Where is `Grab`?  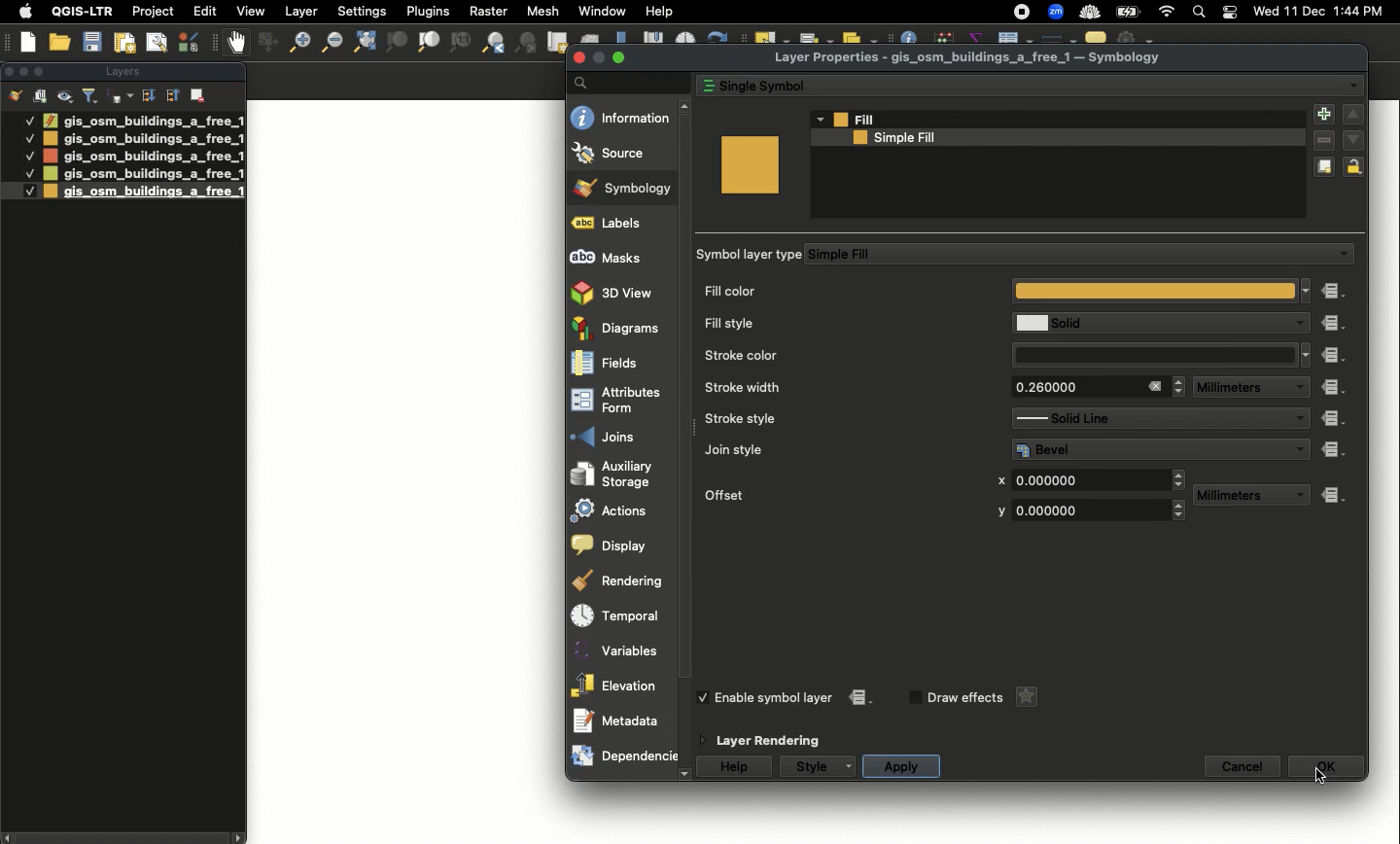 Grab is located at coordinates (237, 42).